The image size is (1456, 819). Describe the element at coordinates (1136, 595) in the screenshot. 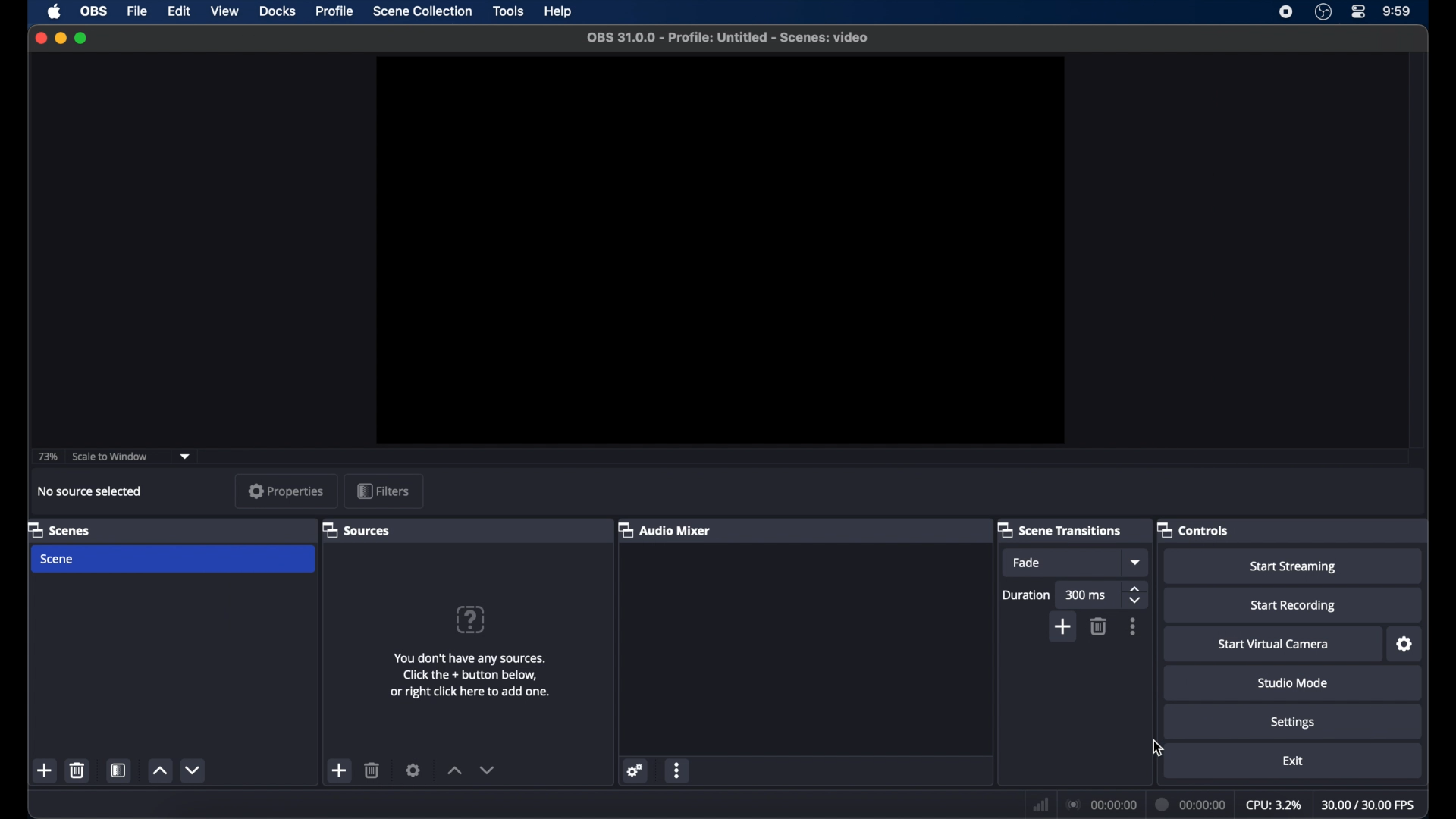

I see `stepper buttons` at that location.